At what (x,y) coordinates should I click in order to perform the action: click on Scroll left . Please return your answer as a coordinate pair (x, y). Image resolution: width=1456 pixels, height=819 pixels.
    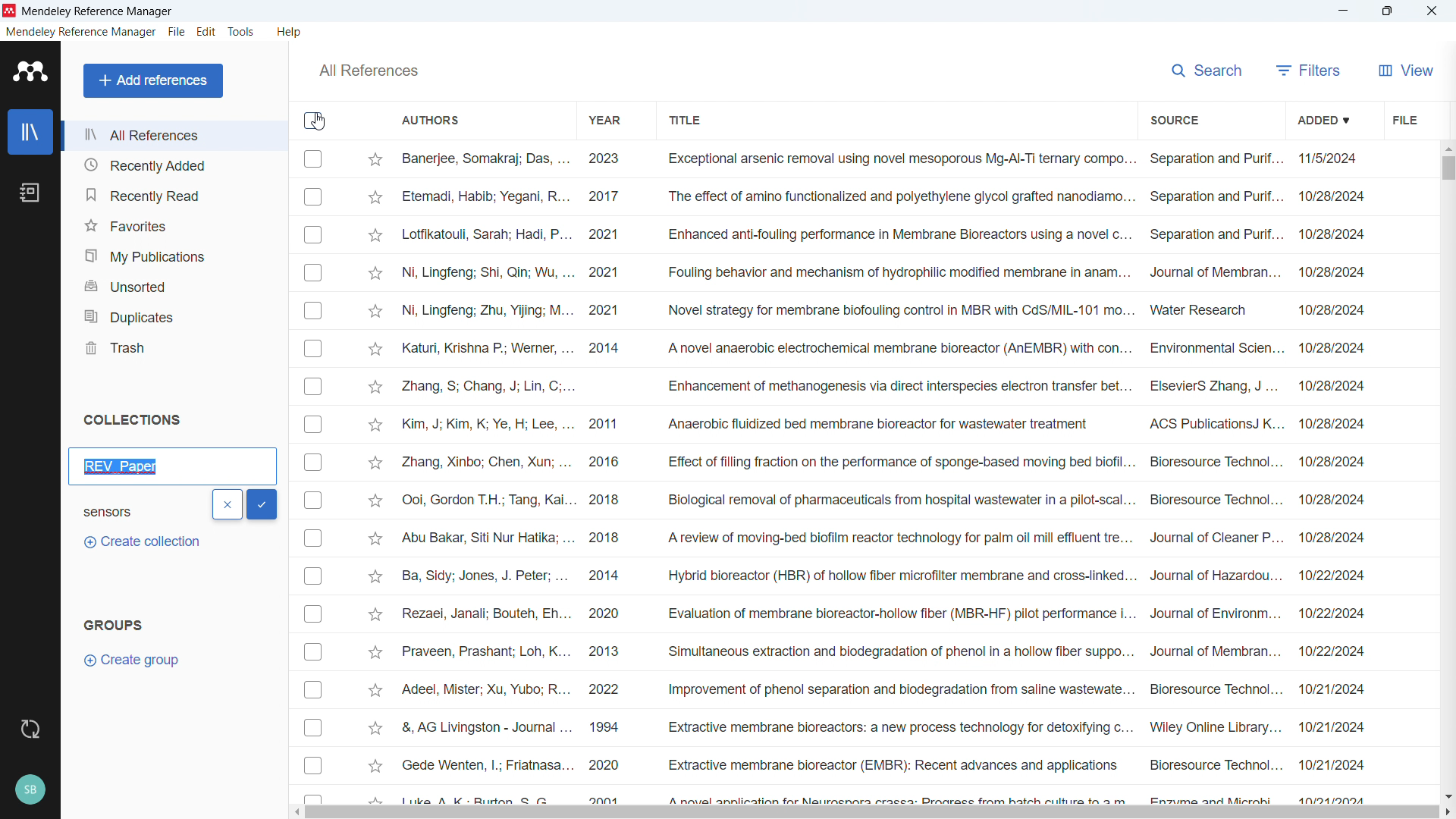
    Looking at the image, I should click on (300, 812).